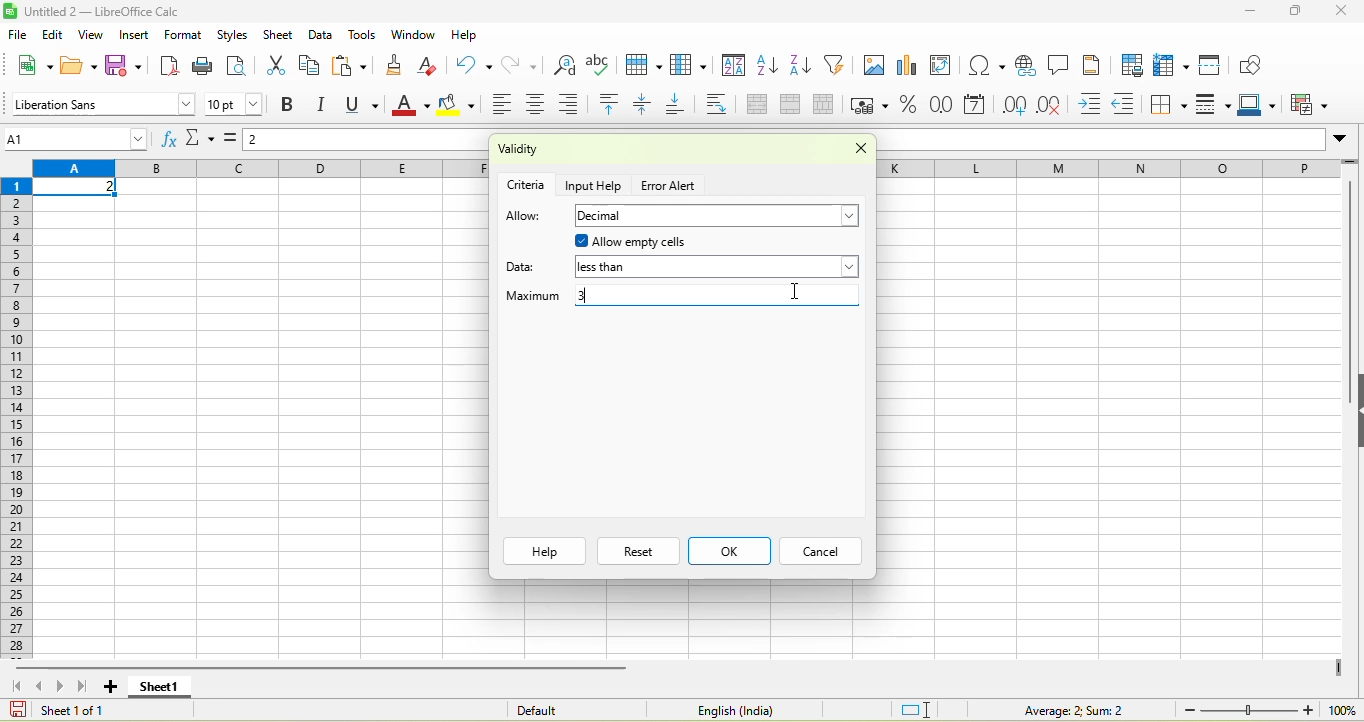 This screenshot has width=1364, height=722. Describe the element at coordinates (798, 290) in the screenshot. I see `cursor movement` at that location.